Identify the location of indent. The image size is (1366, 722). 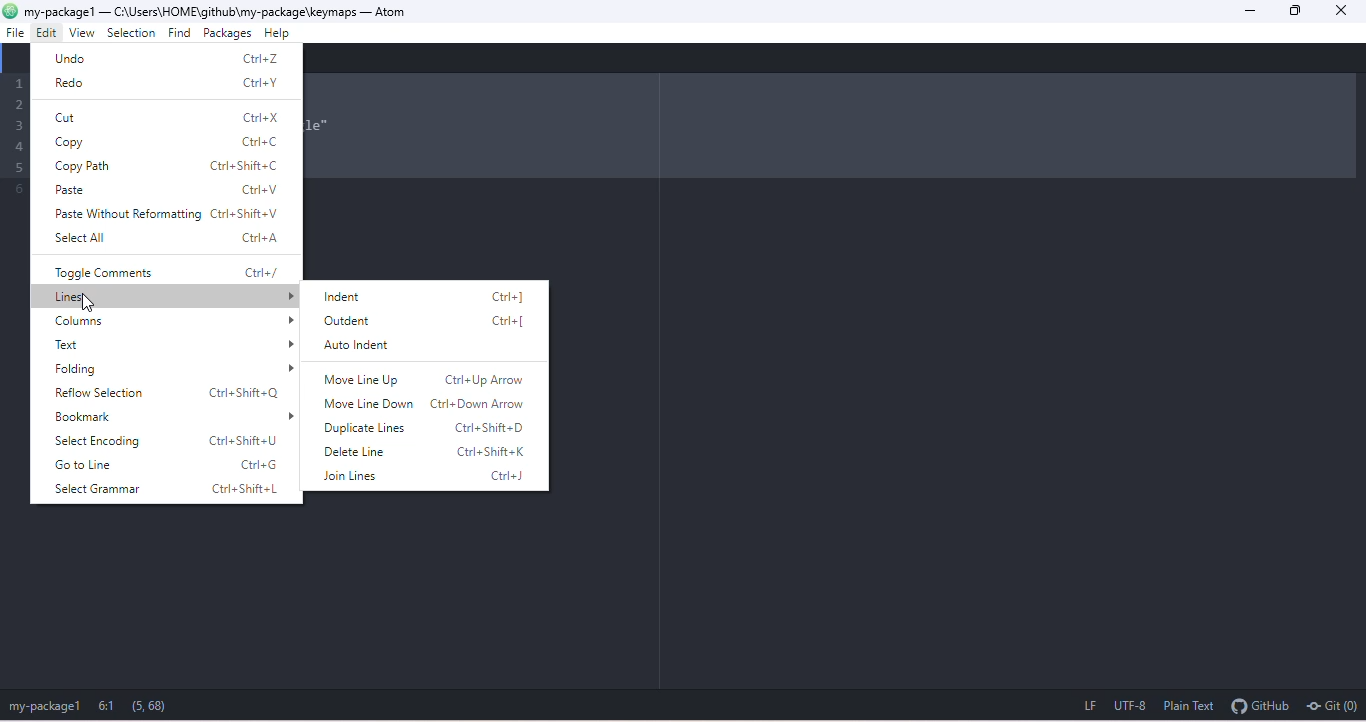
(428, 298).